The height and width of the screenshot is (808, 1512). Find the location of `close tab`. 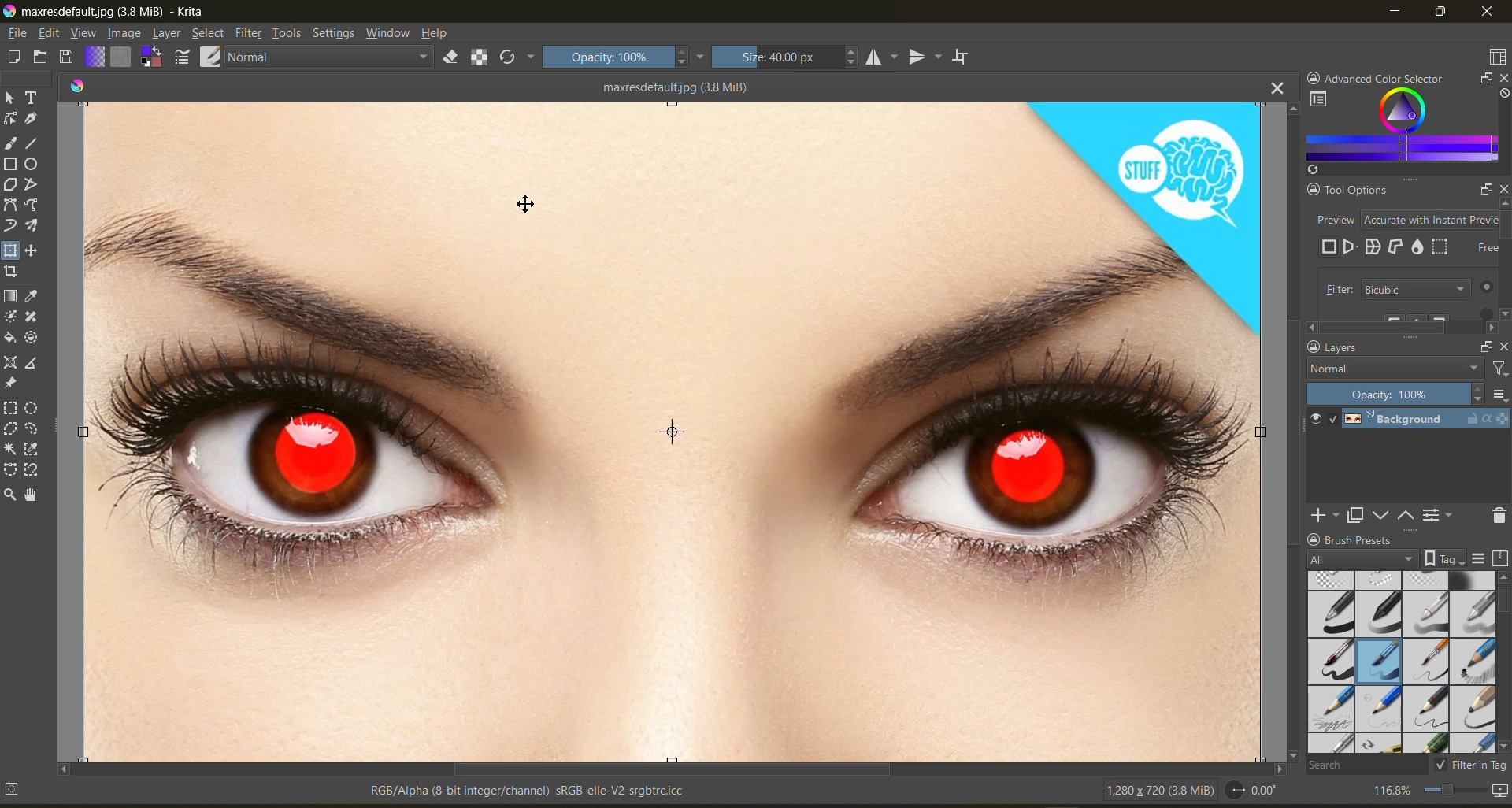

close tab is located at coordinates (1273, 90).